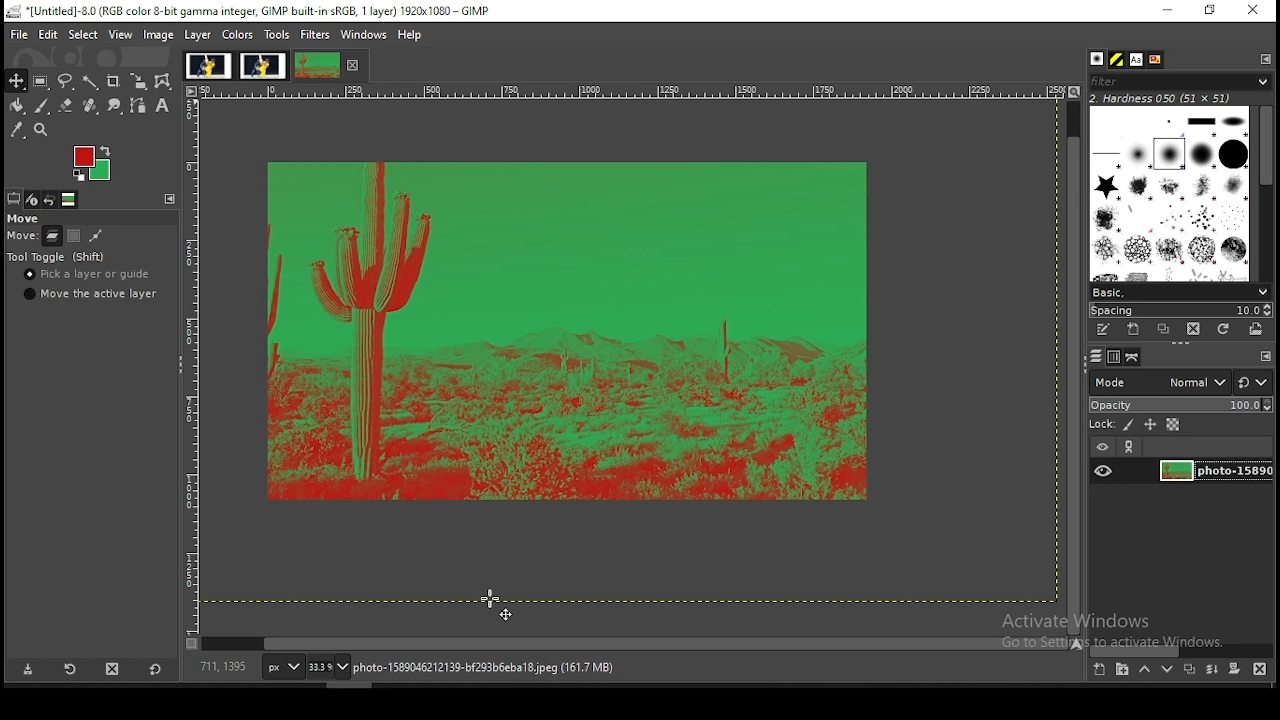  I want to click on mode, so click(1159, 381).